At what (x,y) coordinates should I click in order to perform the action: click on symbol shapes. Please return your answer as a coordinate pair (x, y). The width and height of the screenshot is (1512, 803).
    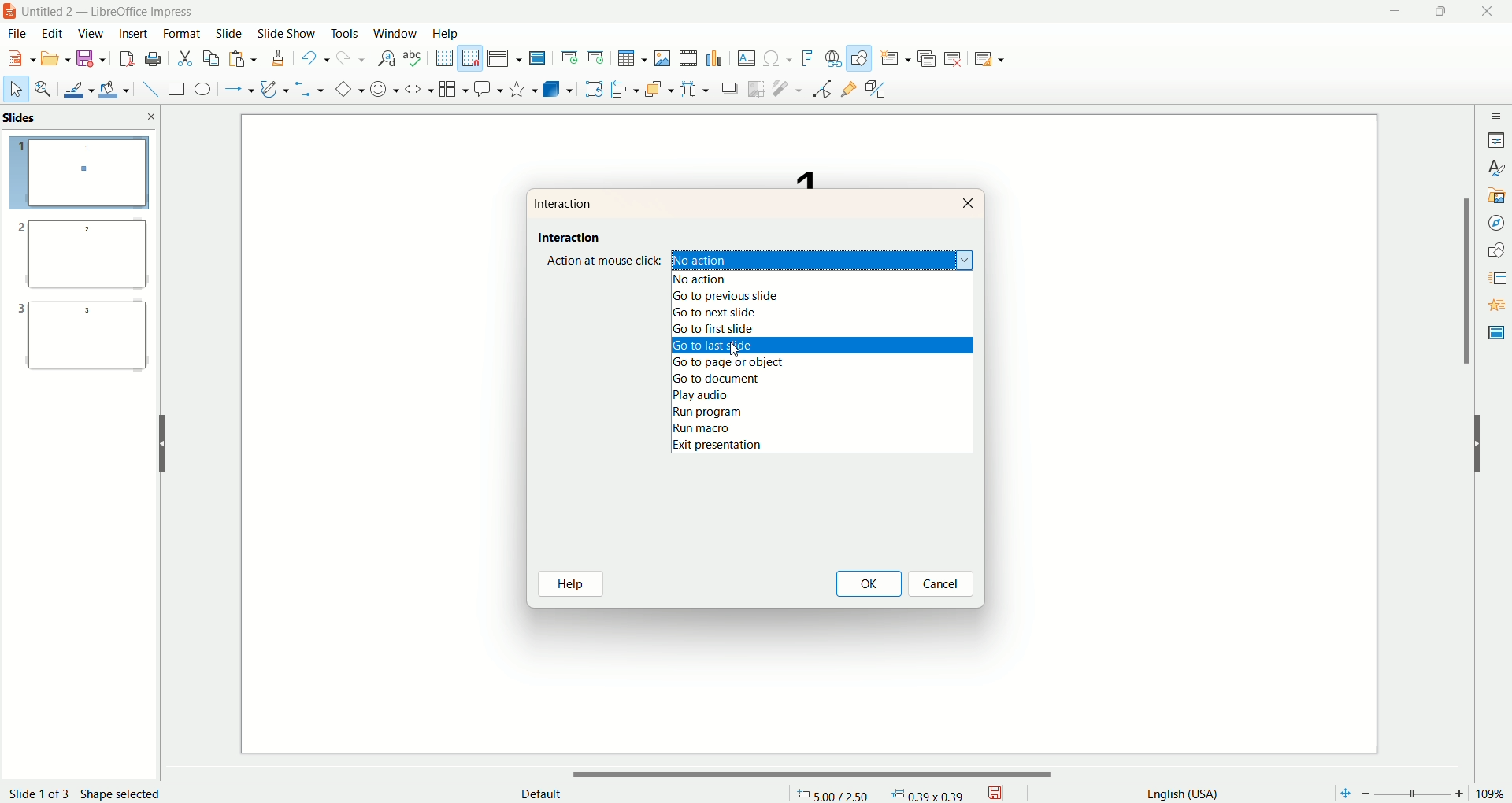
    Looking at the image, I should click on (381, 90).